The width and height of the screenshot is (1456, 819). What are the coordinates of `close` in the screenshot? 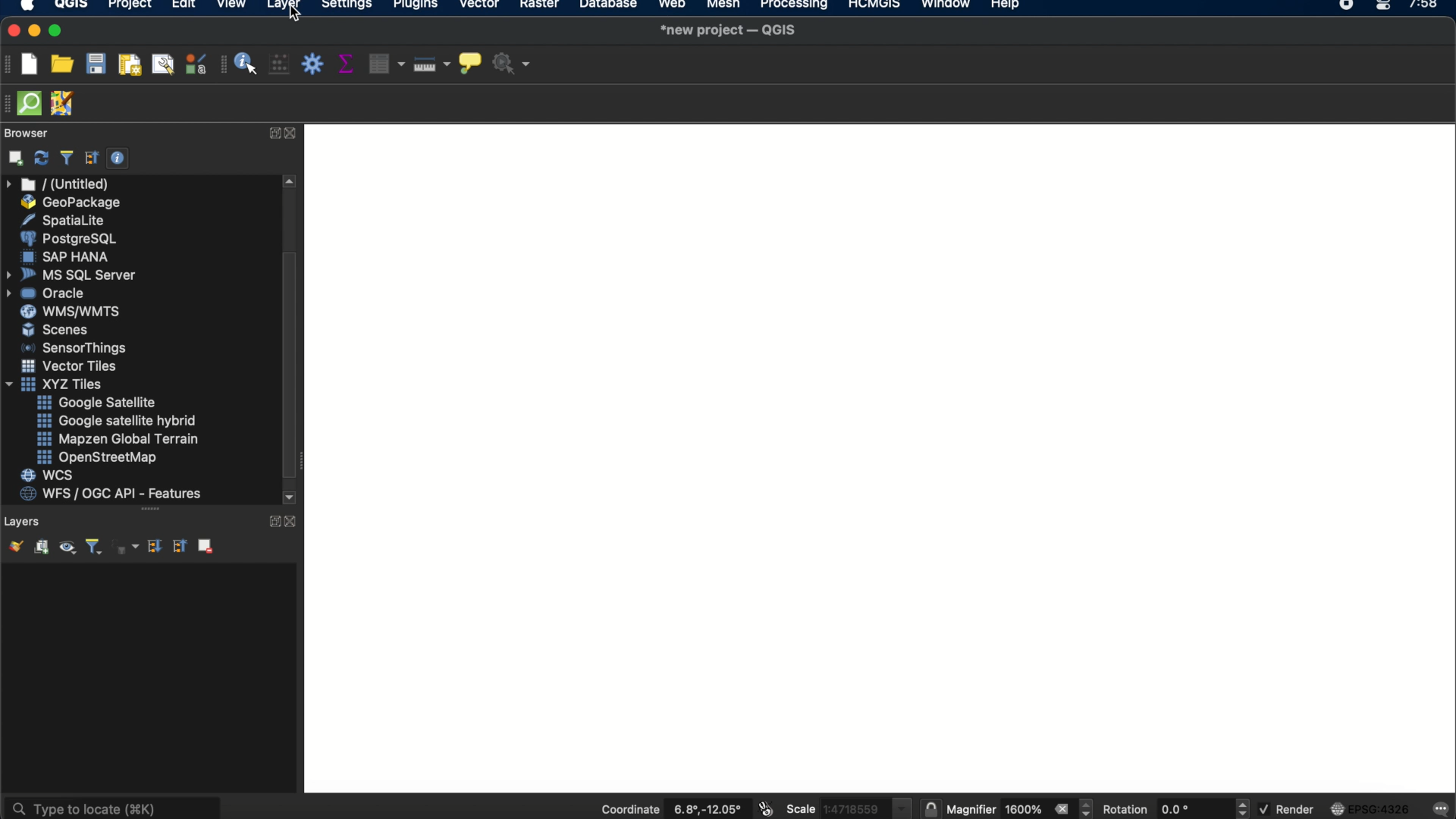 It's located at (12, 31).